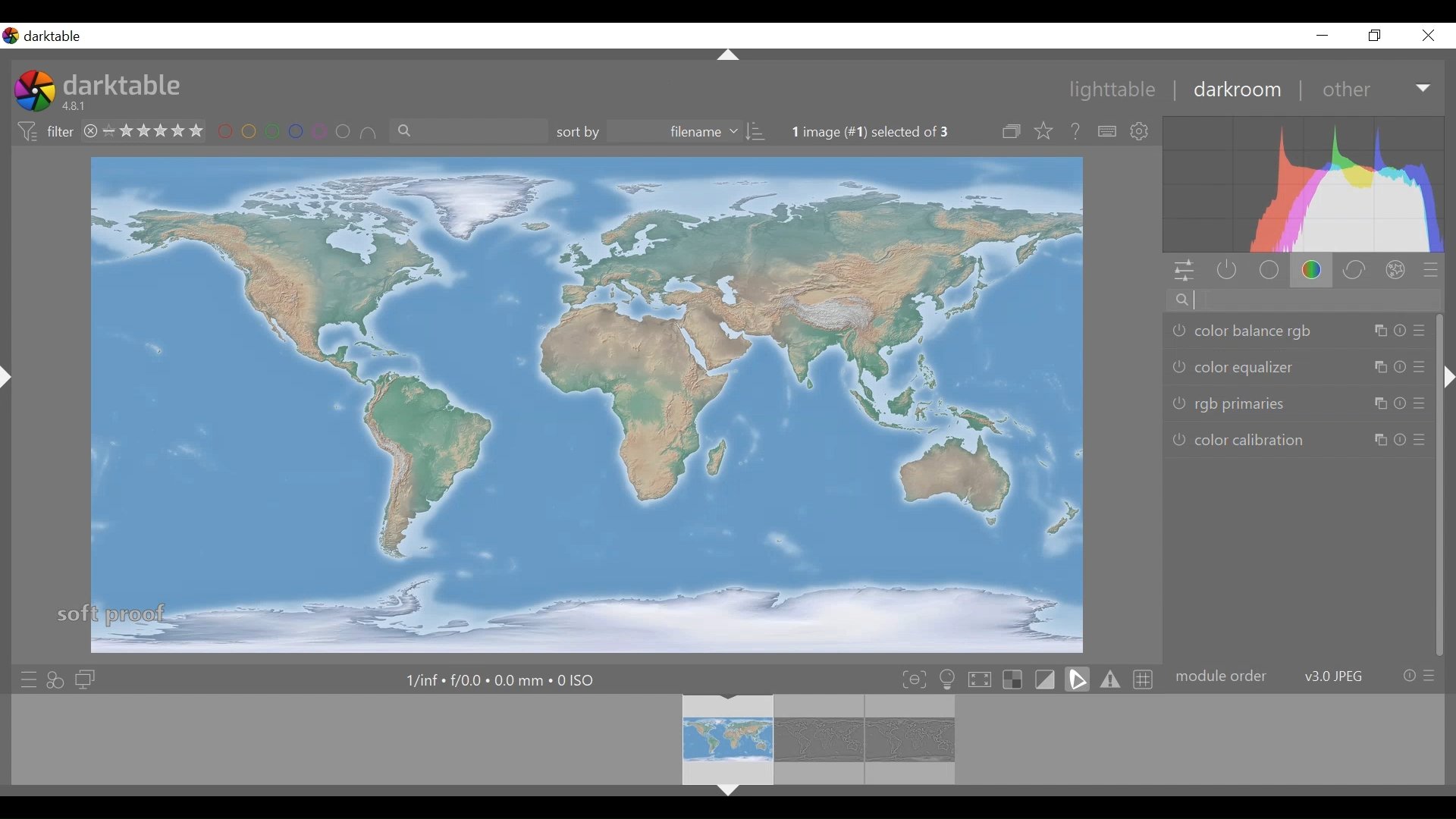 The width and height of the screenshot is (1456, 819). I want to click on toggle guidelines, so click(1141, 679).